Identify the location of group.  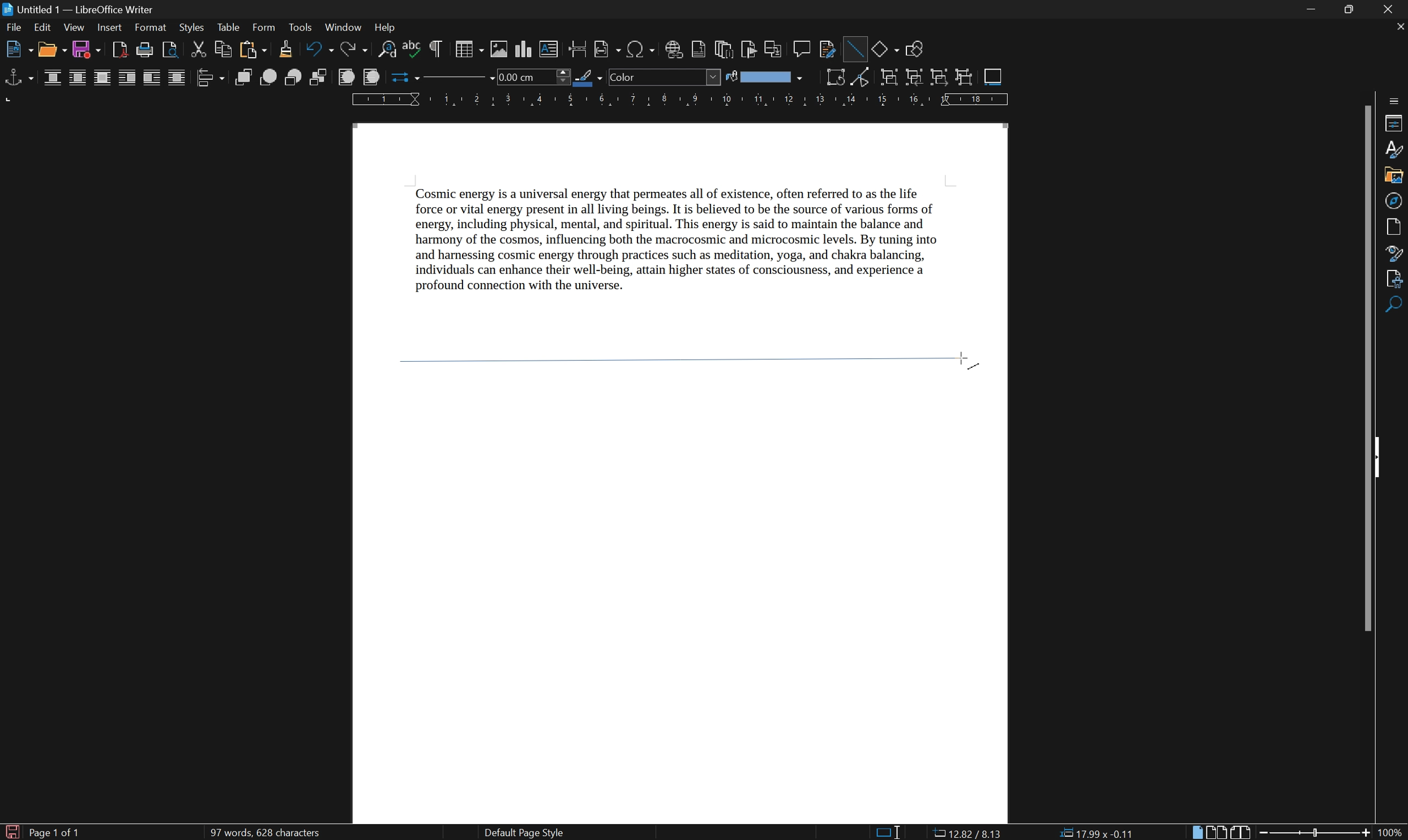
(888, 78).